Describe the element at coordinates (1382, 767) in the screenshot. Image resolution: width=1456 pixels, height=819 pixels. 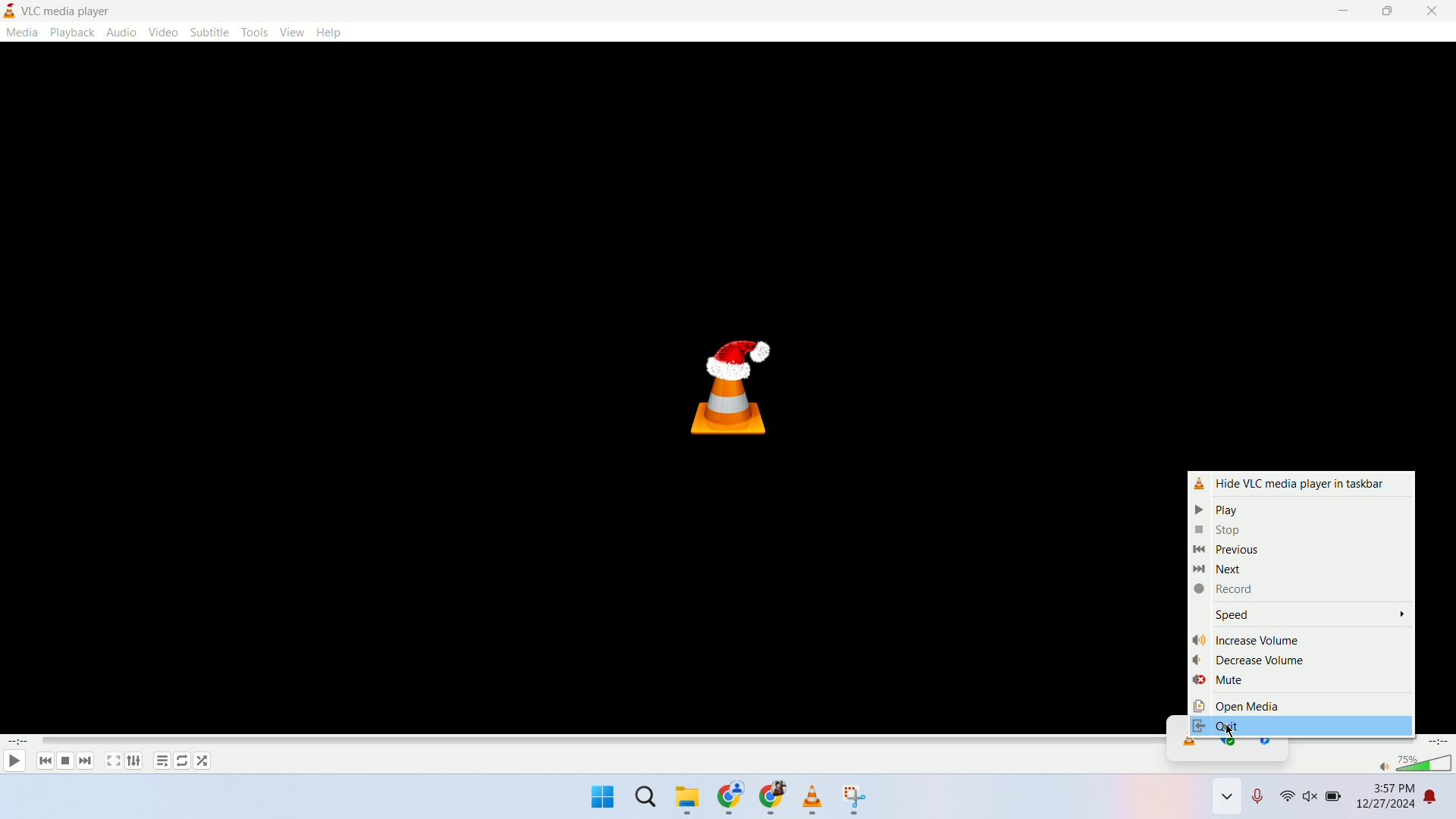
I see `mute` at that location.